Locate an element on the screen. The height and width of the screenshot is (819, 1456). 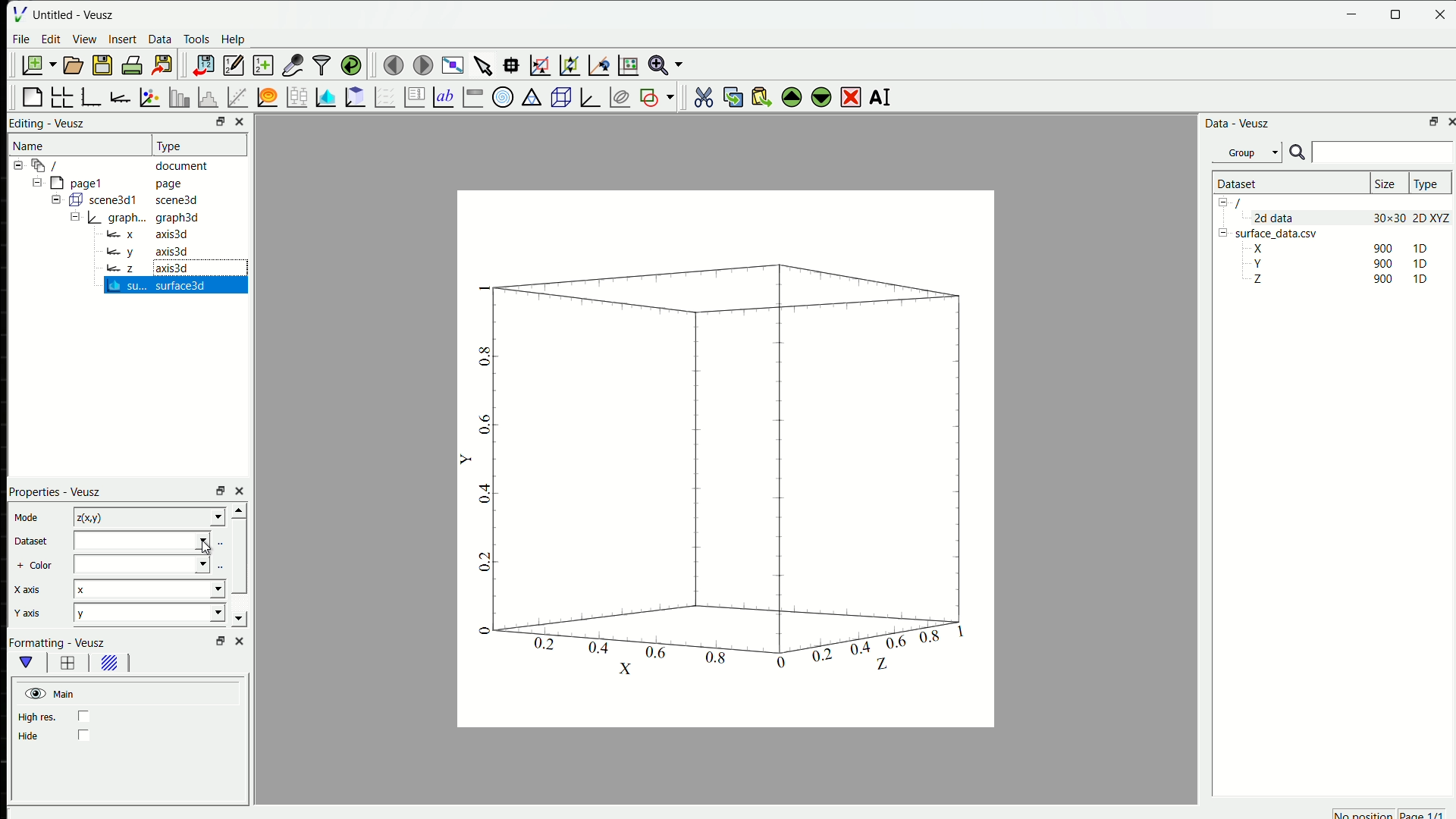
plot box plots is located at coordinates (298, 96).